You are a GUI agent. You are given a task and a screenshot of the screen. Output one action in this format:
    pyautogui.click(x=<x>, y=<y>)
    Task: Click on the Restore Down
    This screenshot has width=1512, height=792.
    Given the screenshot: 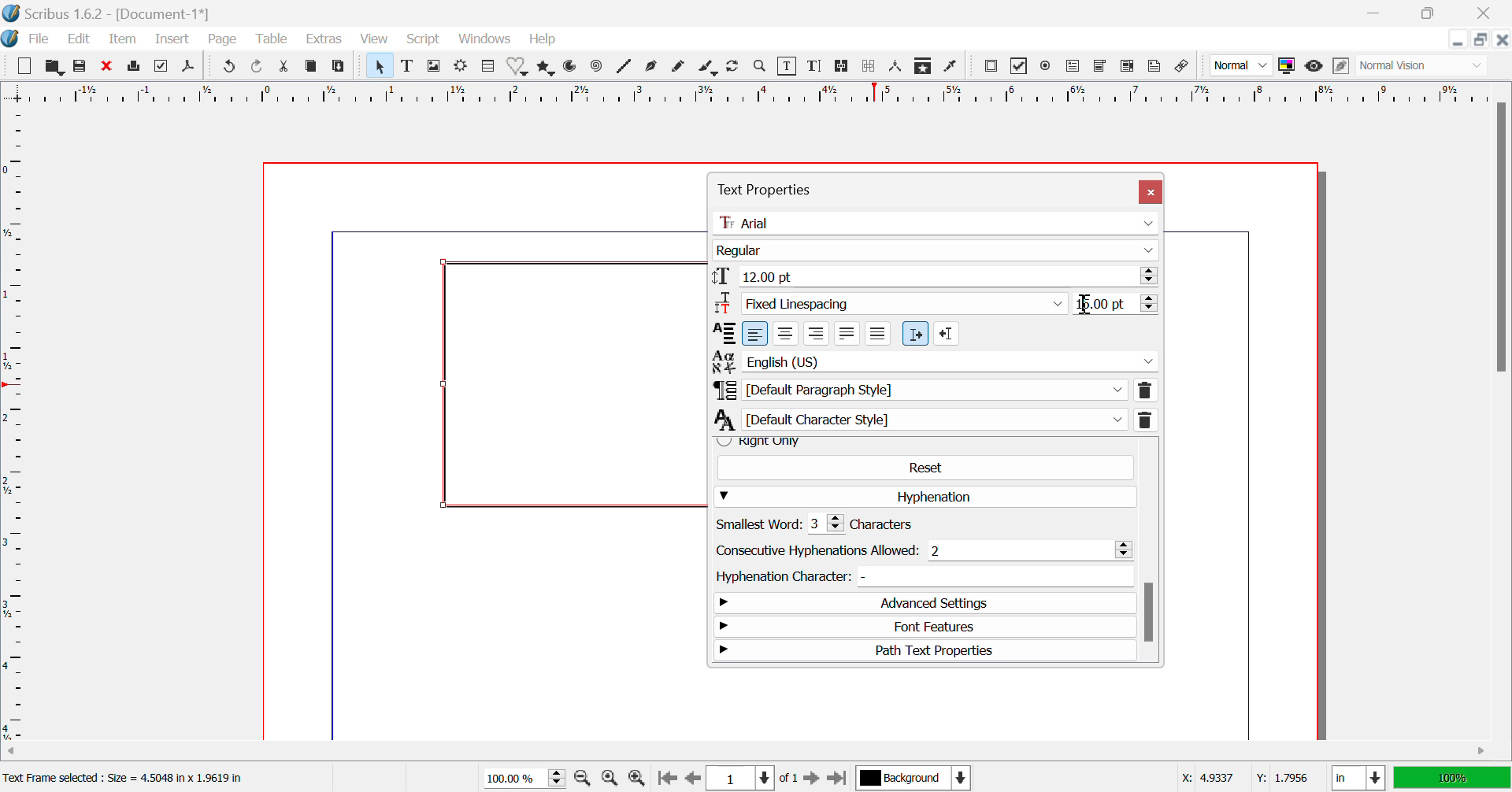 What is the action you would take?
    pyautogui.click(x=1460, y=40)
    